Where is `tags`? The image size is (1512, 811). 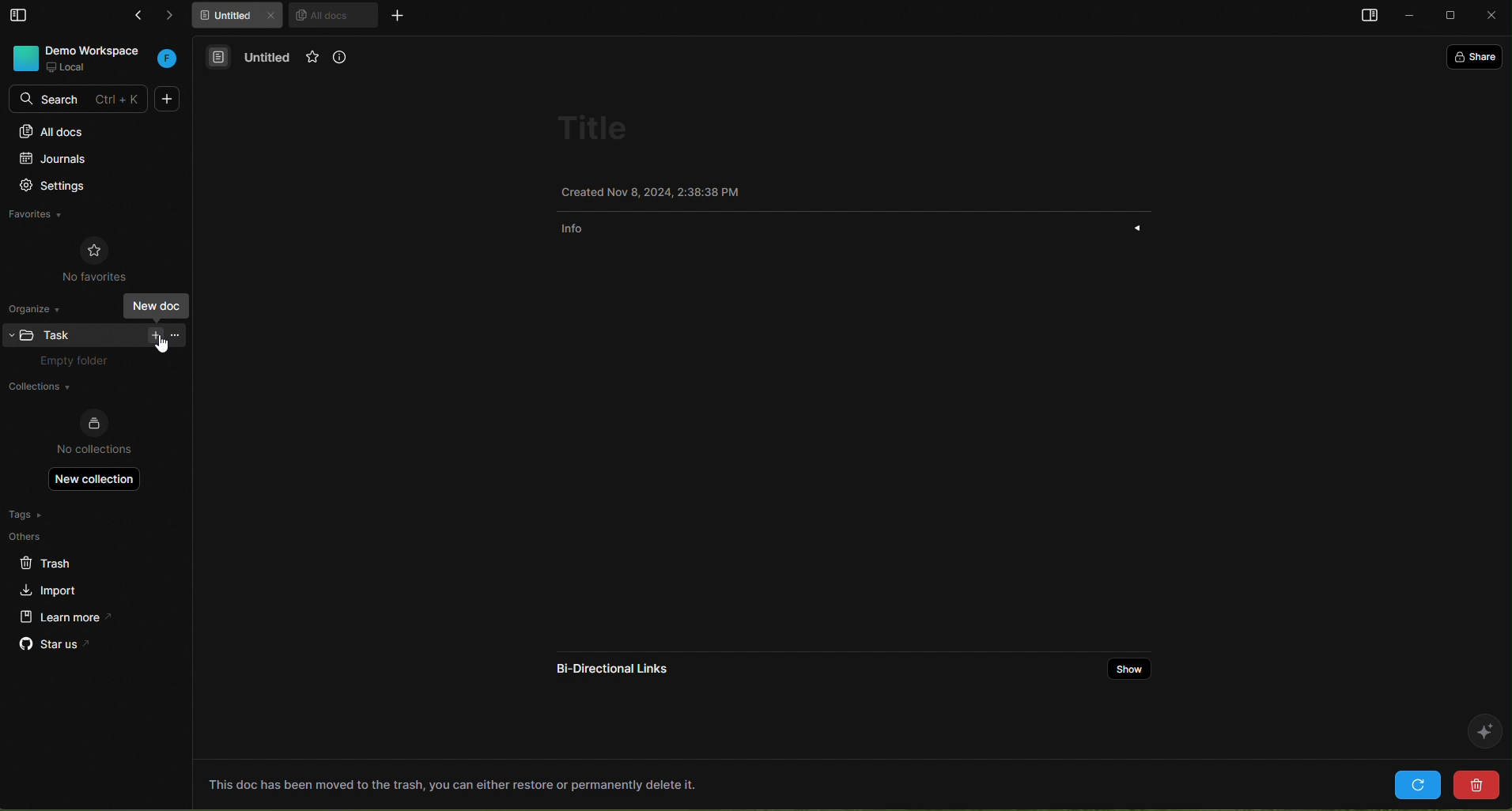 tags is located at coordinates (58, 515).